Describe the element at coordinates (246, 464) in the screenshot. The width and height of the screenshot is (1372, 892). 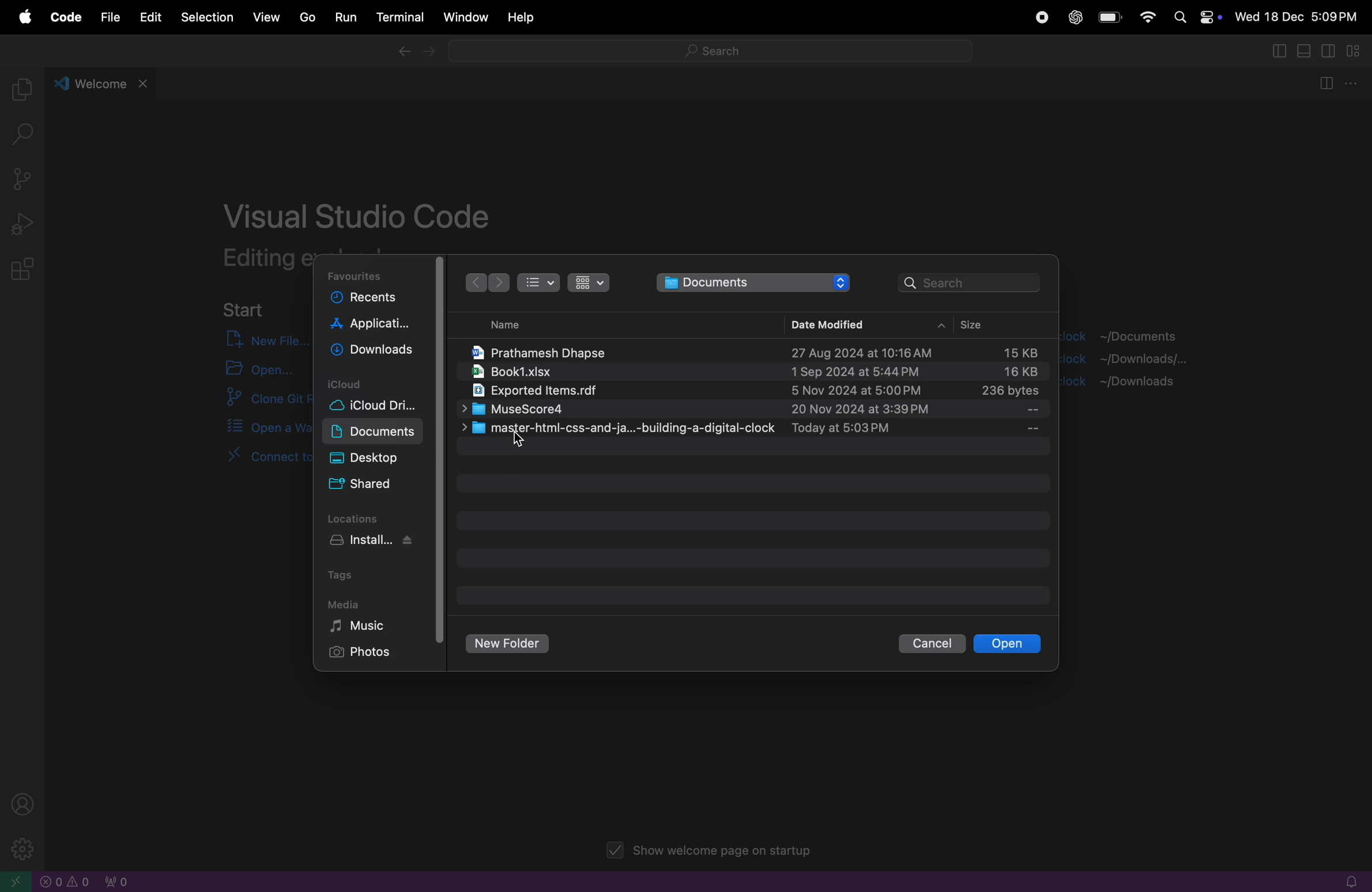
I see `connect` at that location.